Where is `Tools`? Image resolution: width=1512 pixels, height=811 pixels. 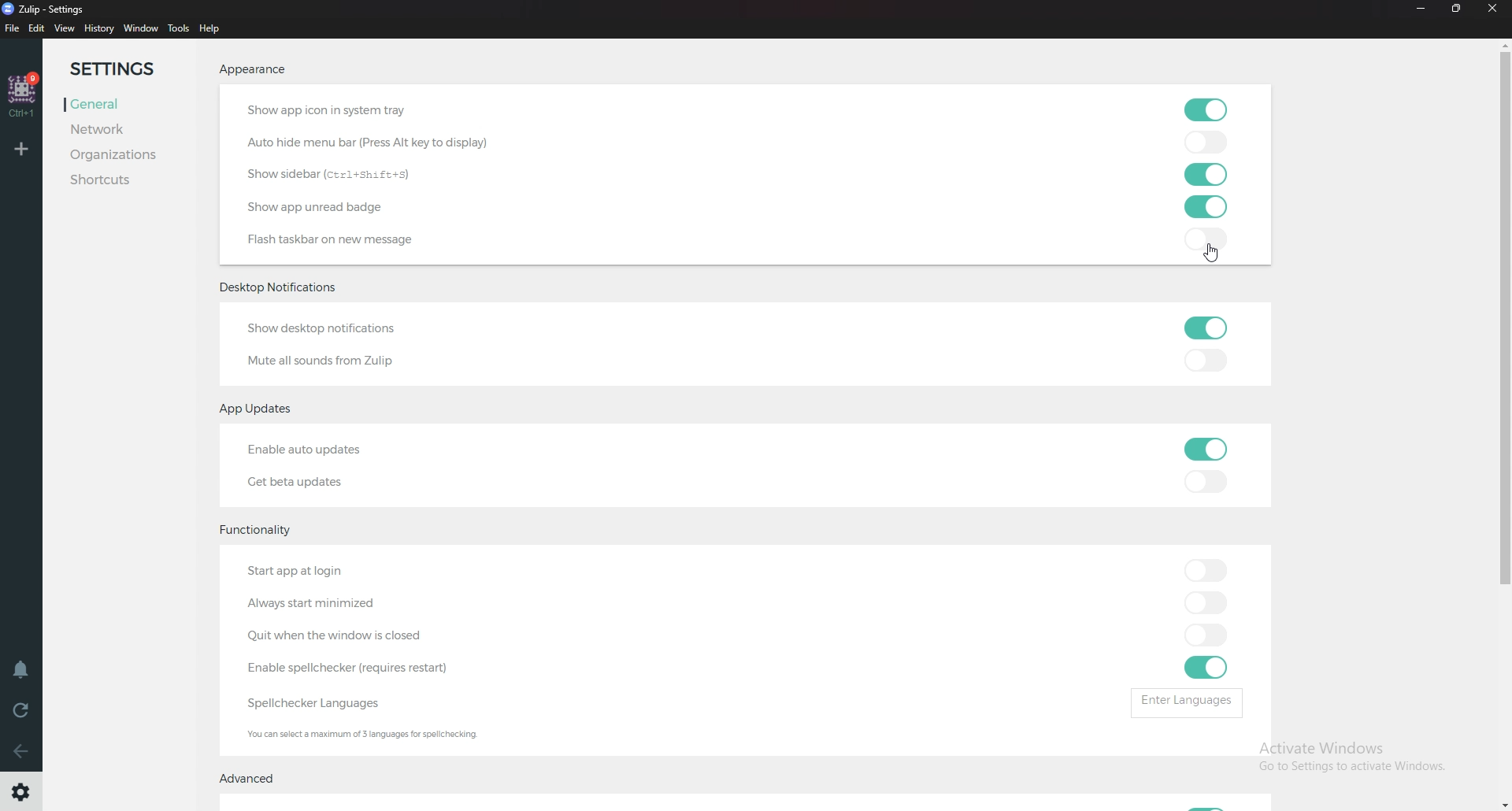
Tools is located at coordinates (179, 29).